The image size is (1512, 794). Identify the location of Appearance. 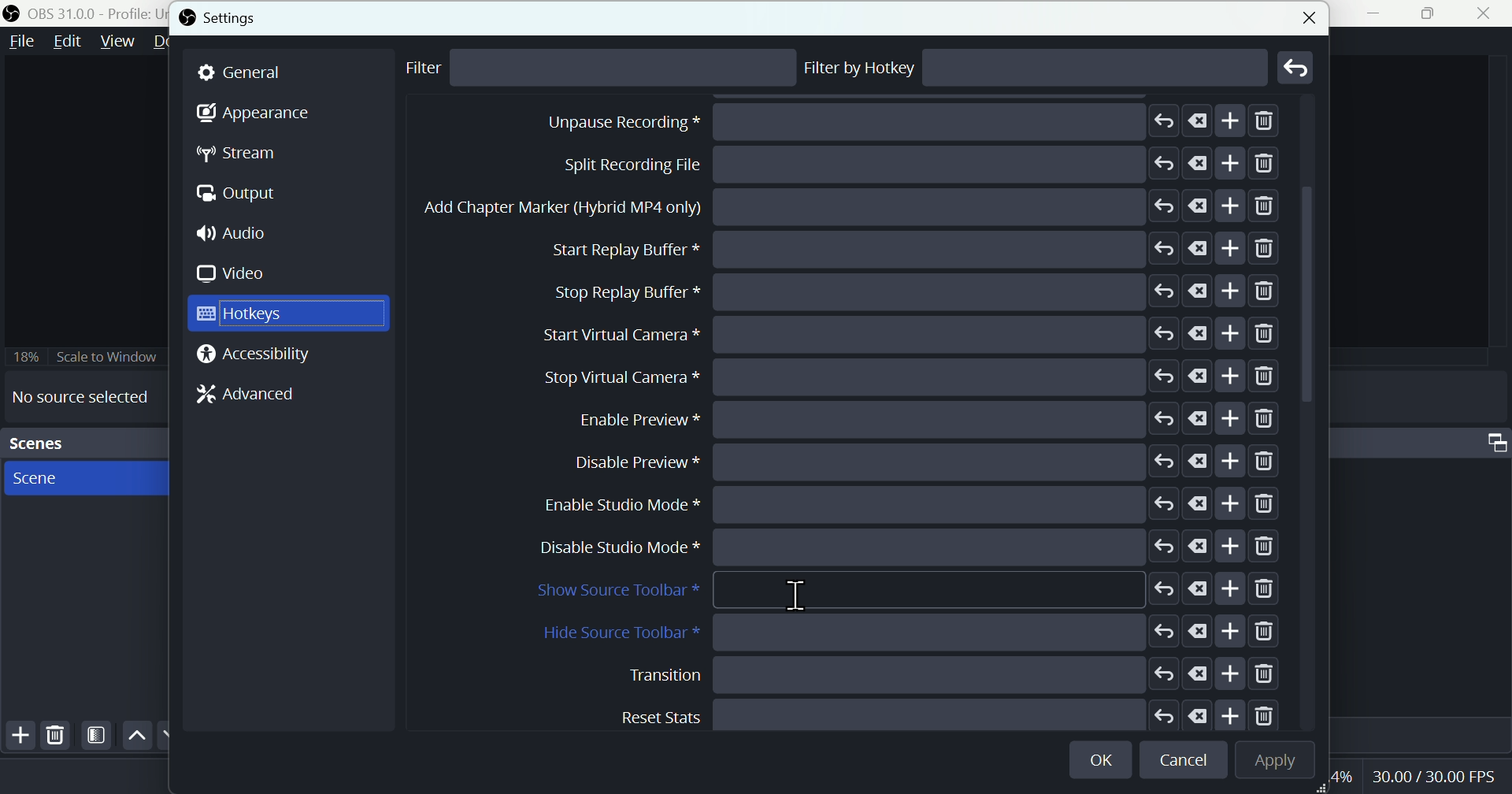
(253, 117).